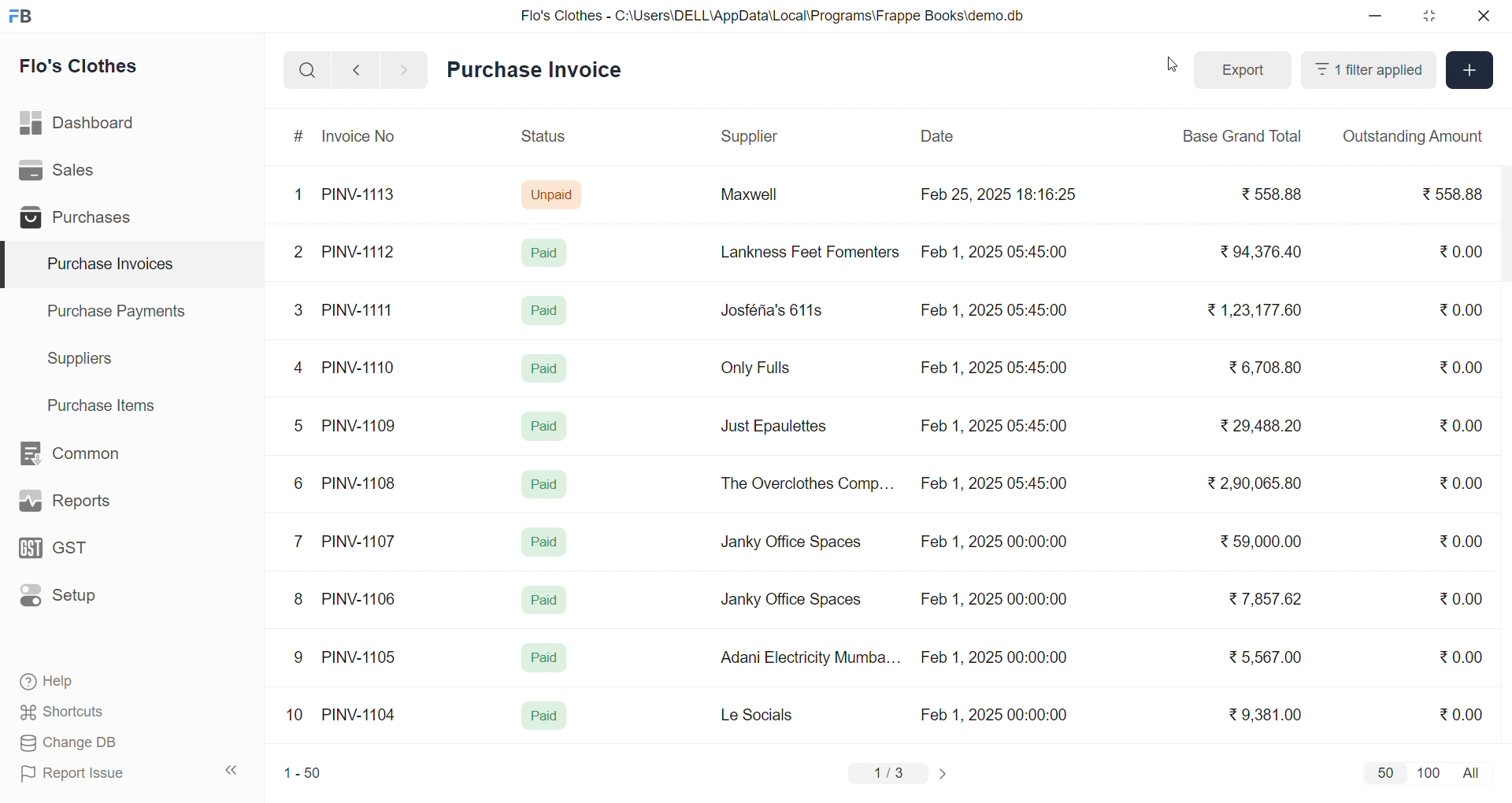  I want to click on PINV-1113, so click(365, 196).